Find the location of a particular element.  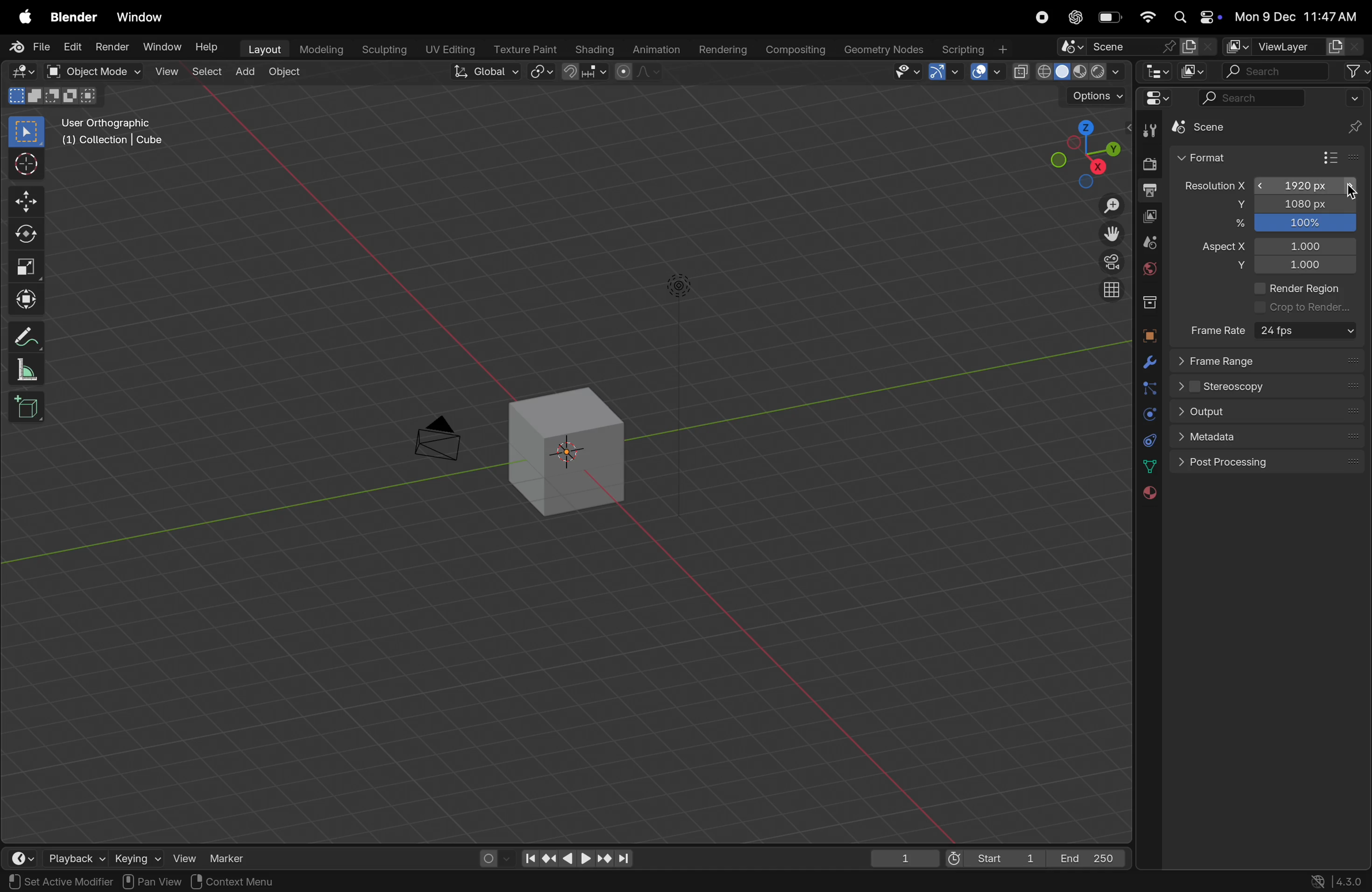

annotate is located at coordinates (24, 337).